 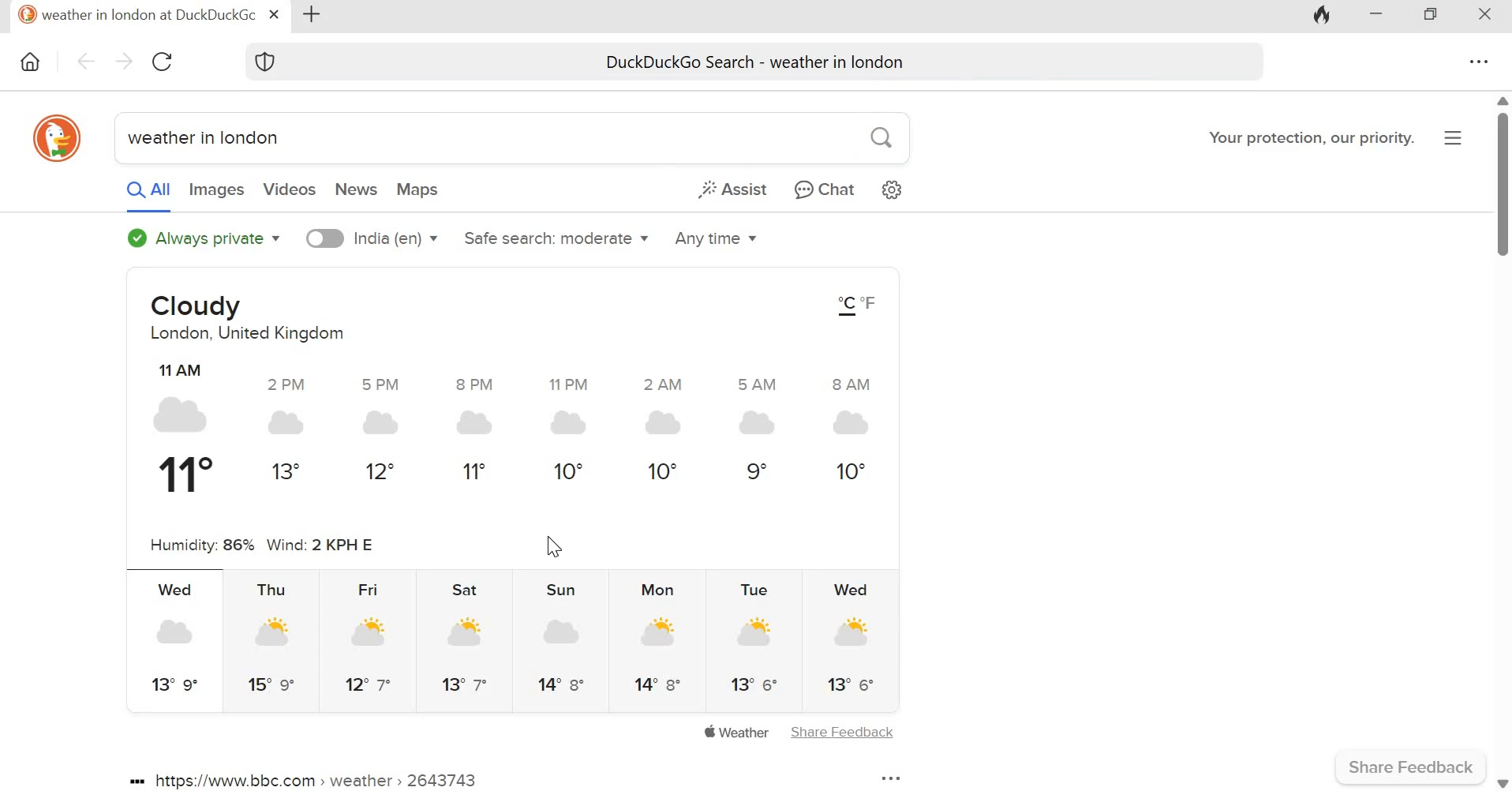 What do you see at coordinates (474, 471) in the screenshot?
I see `11°` at bounding box center [474, 471].